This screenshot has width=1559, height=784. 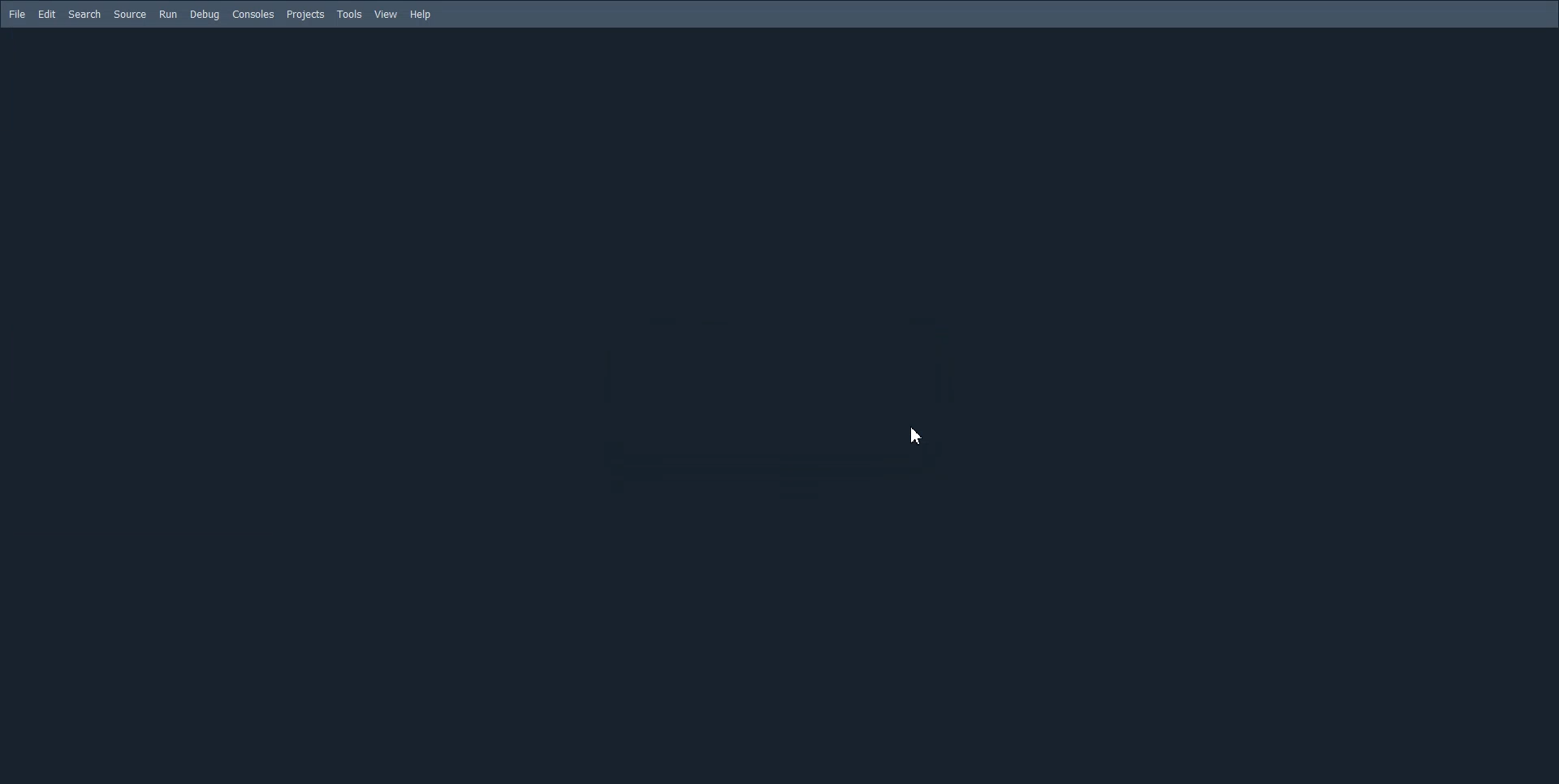 I want to click on Tools, so click(x=349, y=15).